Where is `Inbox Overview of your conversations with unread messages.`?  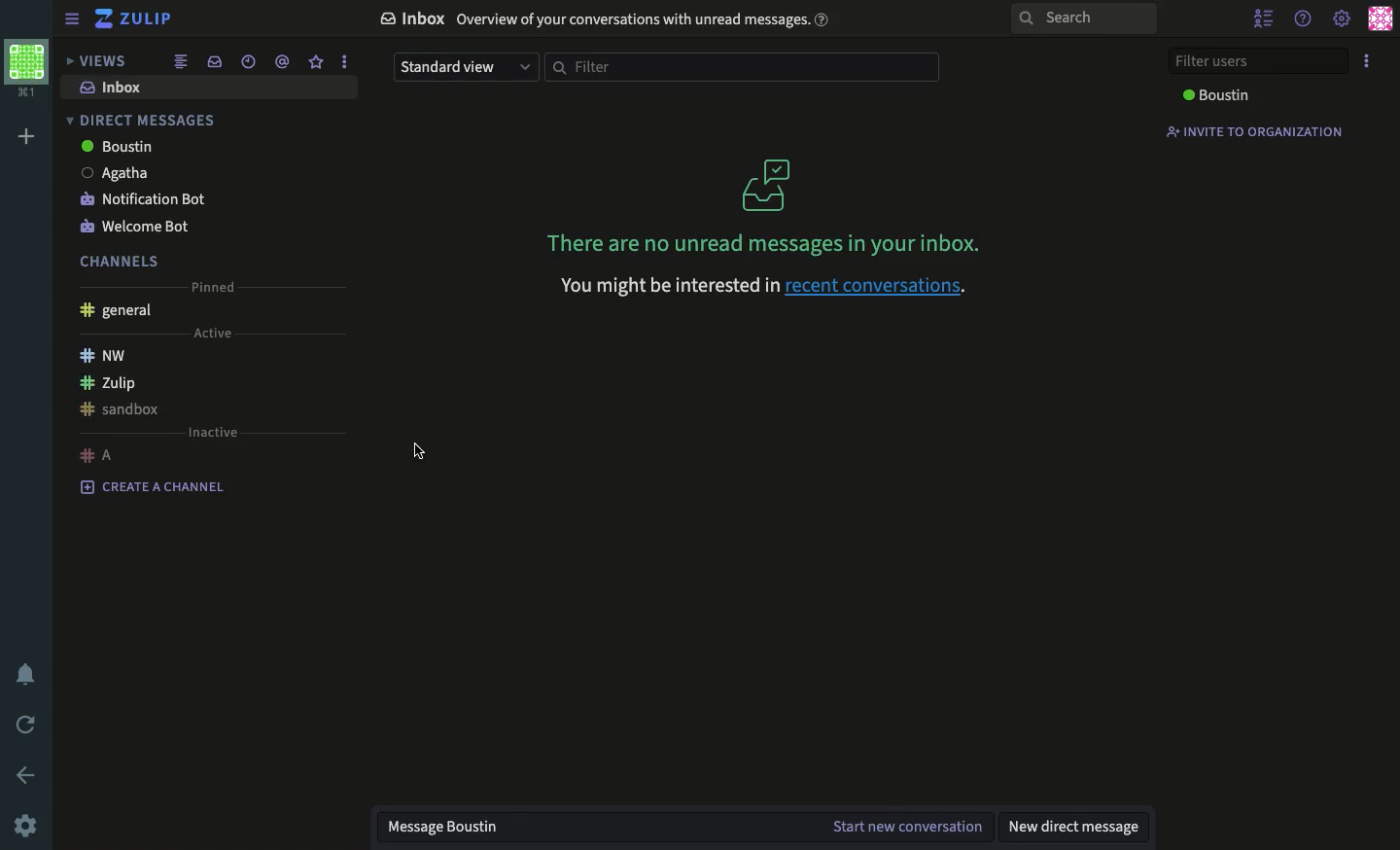 Inbox Overview of your conversations with unread messages. is located at coordinates (609, 21).